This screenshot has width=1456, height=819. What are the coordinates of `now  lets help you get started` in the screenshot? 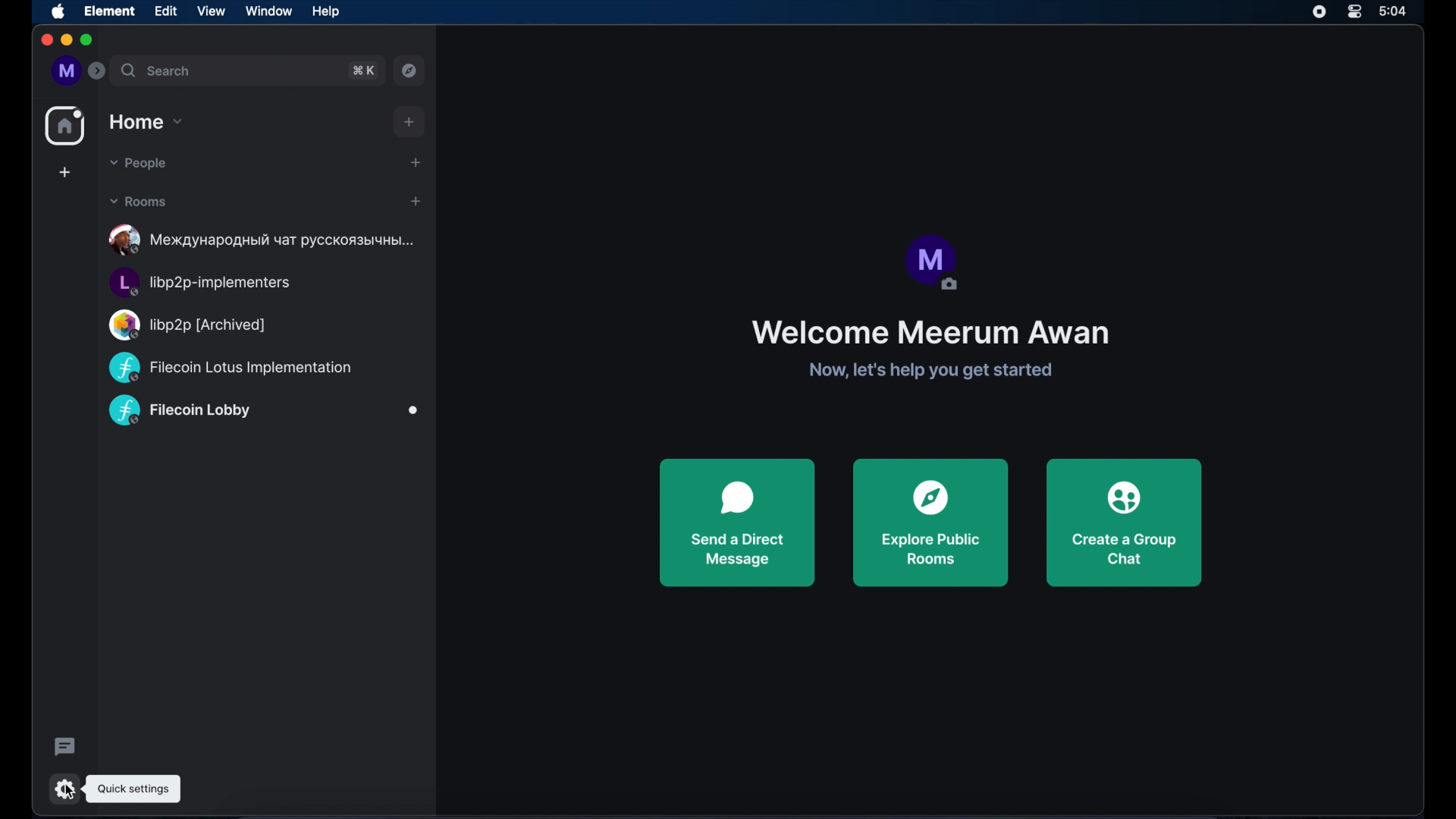 It's located at (932, 371).